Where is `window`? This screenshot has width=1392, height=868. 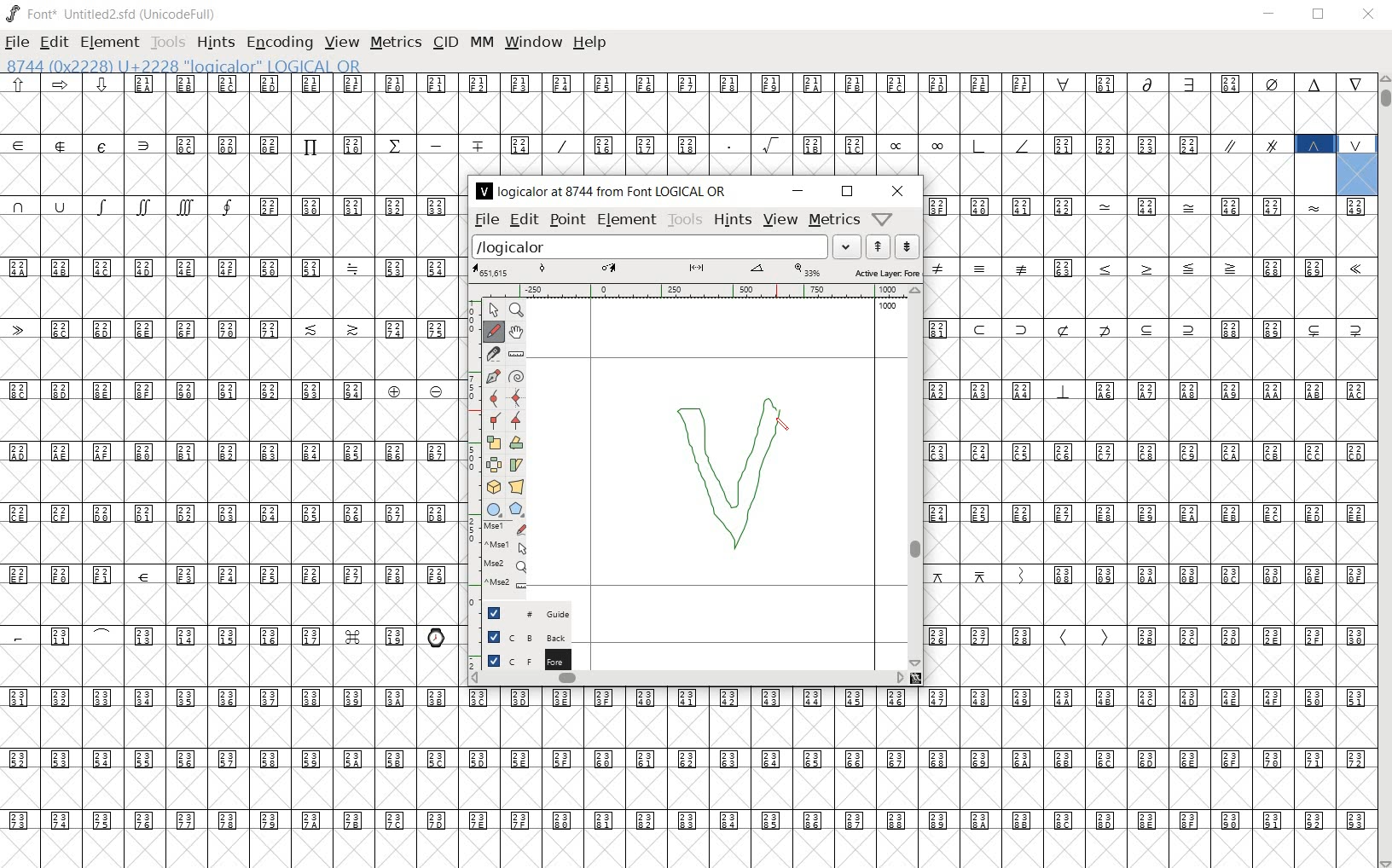
window is located at coordinates (535, 43).